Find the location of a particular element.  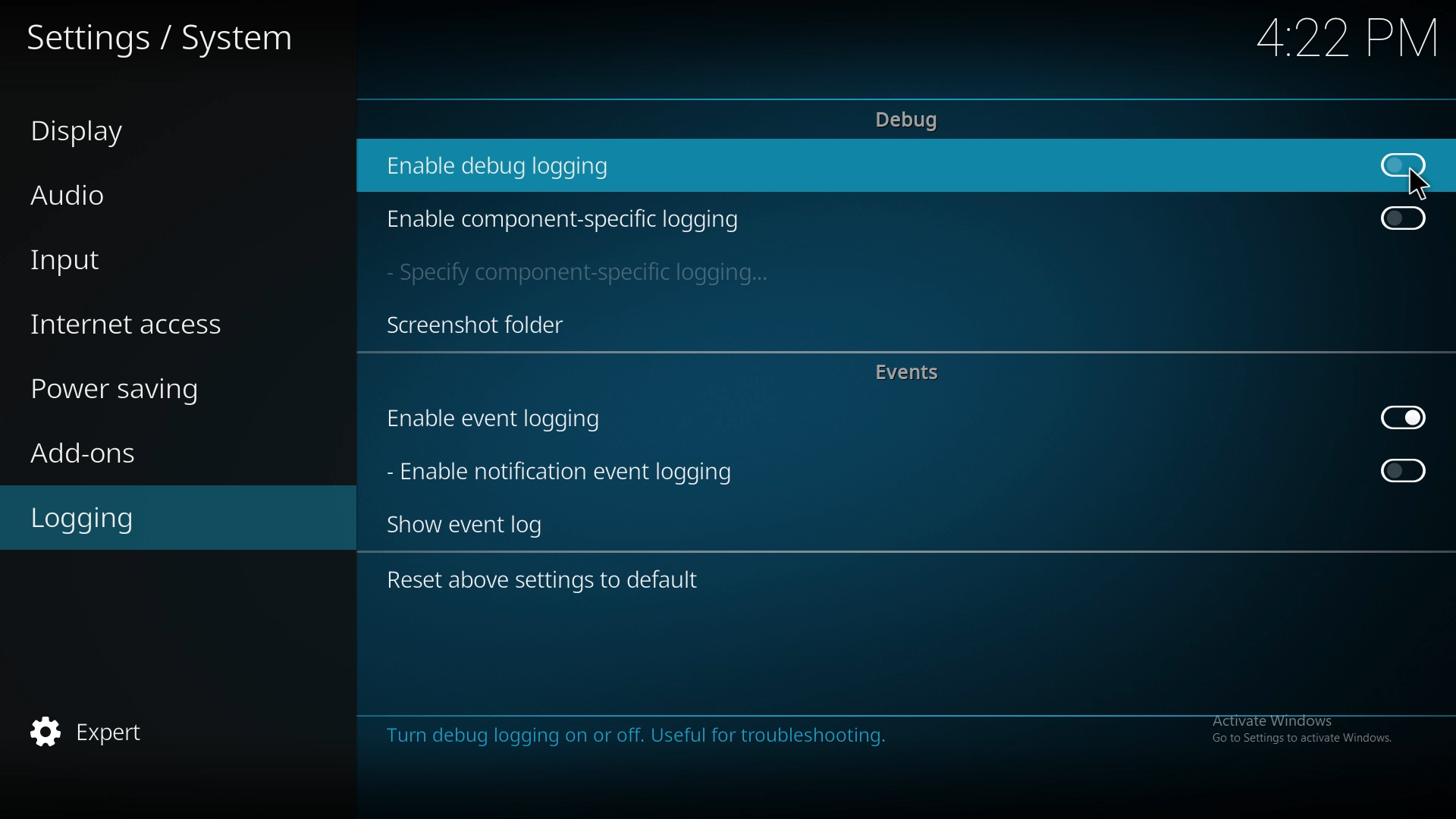

input is located at coordinates (164, 262).